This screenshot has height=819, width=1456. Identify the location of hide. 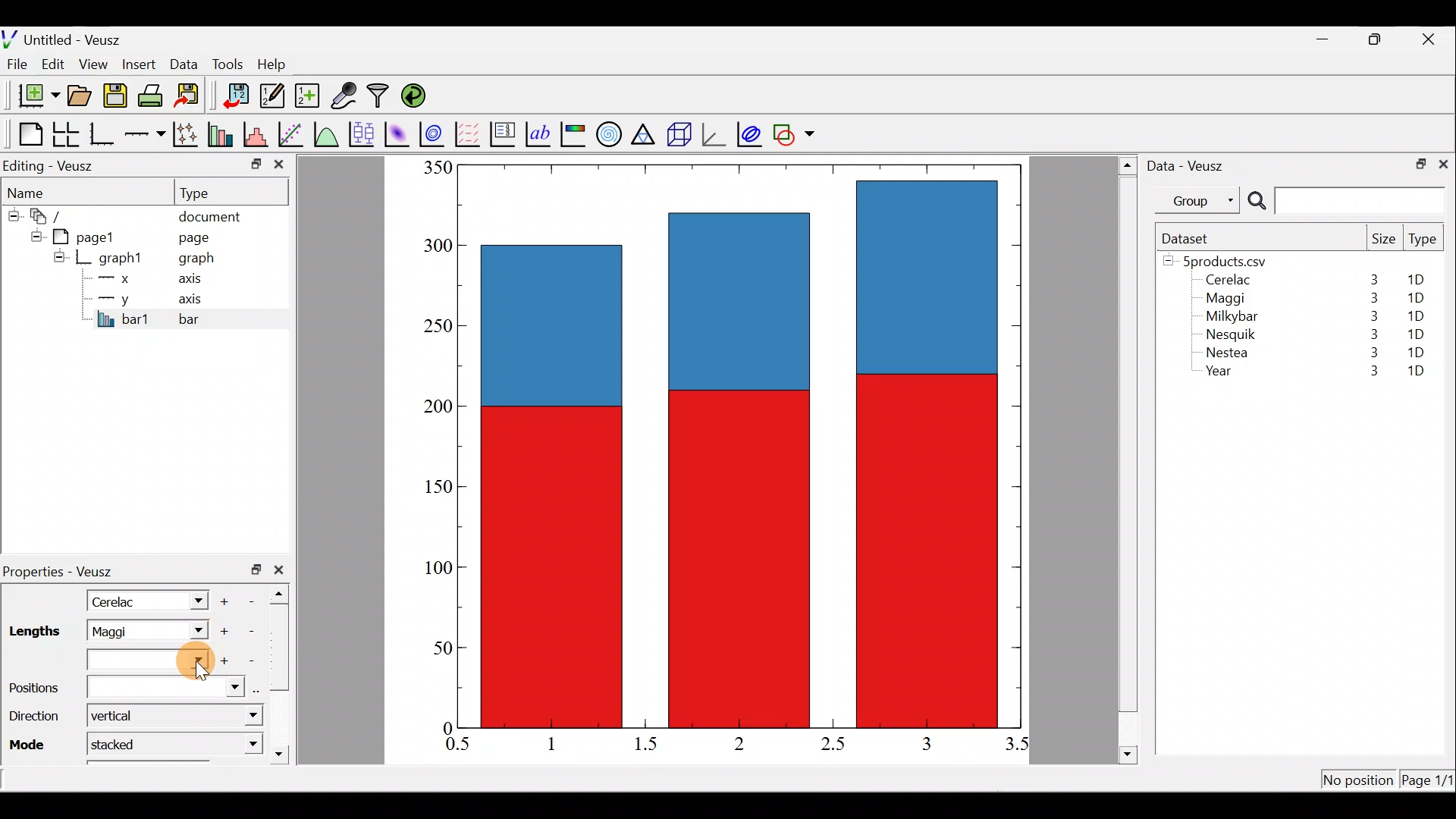
(12, 213).